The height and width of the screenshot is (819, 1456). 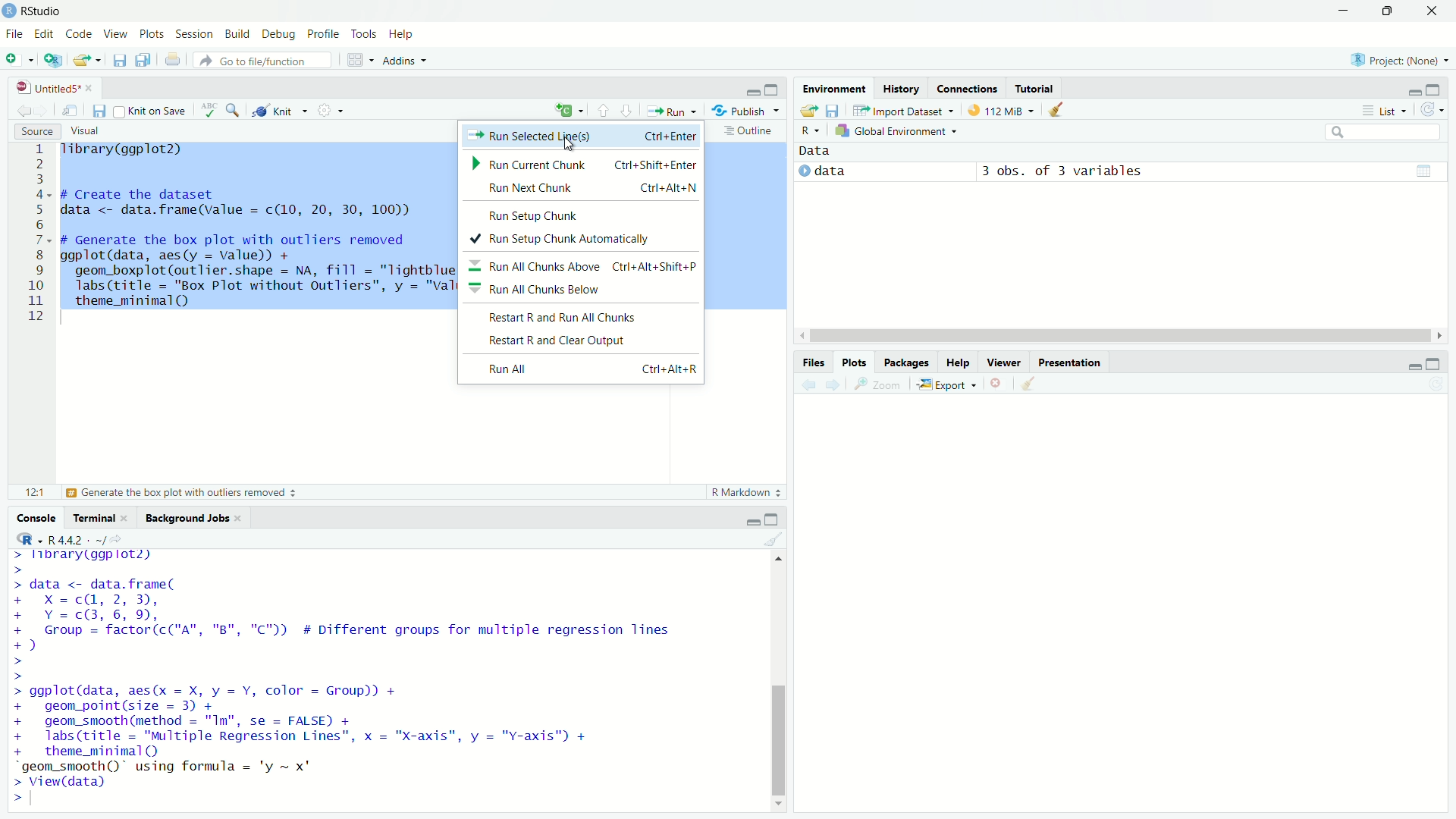 What do you see at coordinates (258, 224) in the screenshot?
I see `Tibrary(ggplot2)

# Create the dataset

data <- data.frame(value = c(10, 20, 30, 100))

# Generate the box plot with outliers removed ii

ggplot(data, aes(y = Valued) +
geom_boxplot(outlier.shape = NA, fill = "lightblue", color = "black") +
labs (title = "Box Plot without outliers", y = "value") +
theme_minimal)` at bounding box center [258, 224].